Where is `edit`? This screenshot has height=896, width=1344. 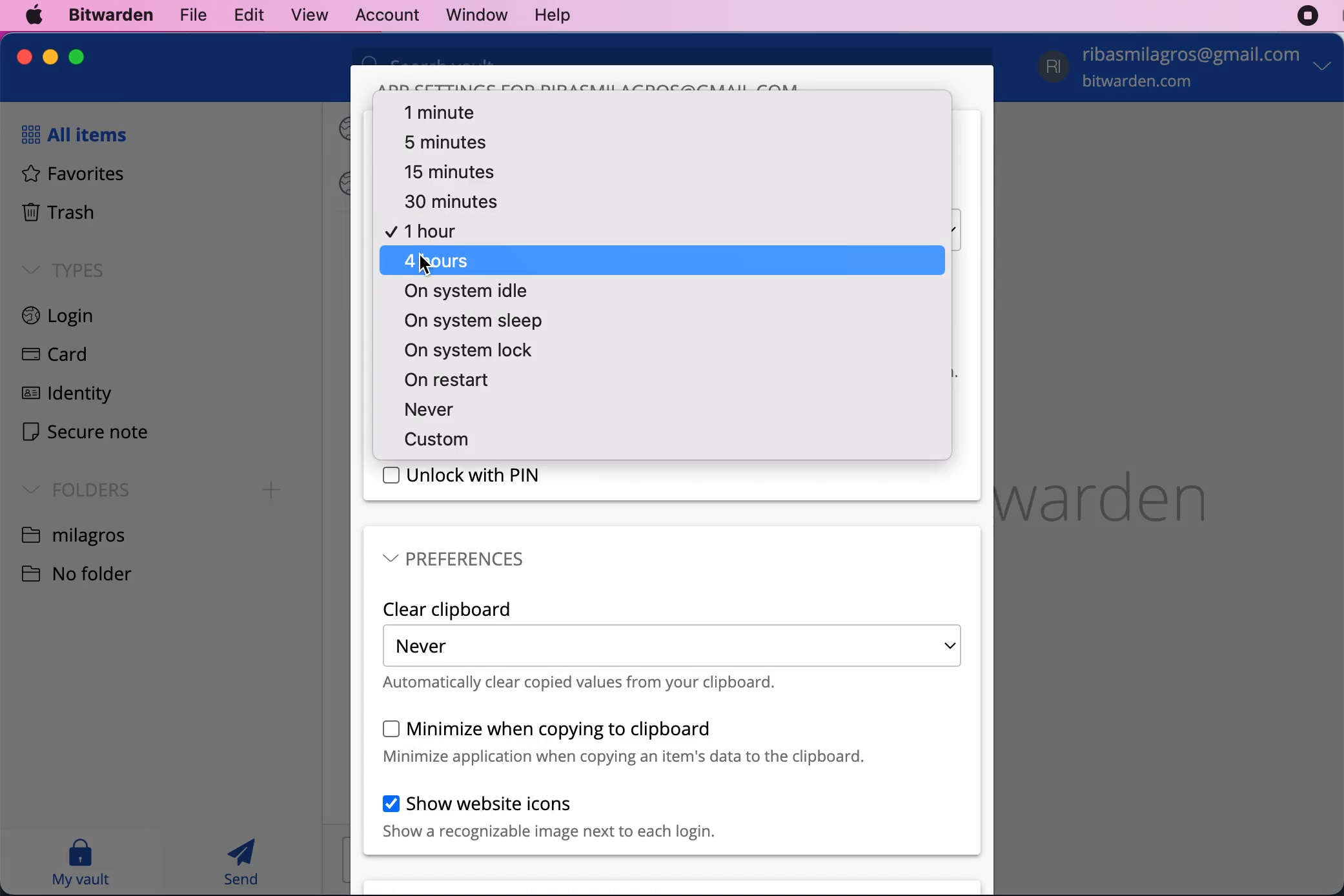 edit is located at coordinates (245, 14).